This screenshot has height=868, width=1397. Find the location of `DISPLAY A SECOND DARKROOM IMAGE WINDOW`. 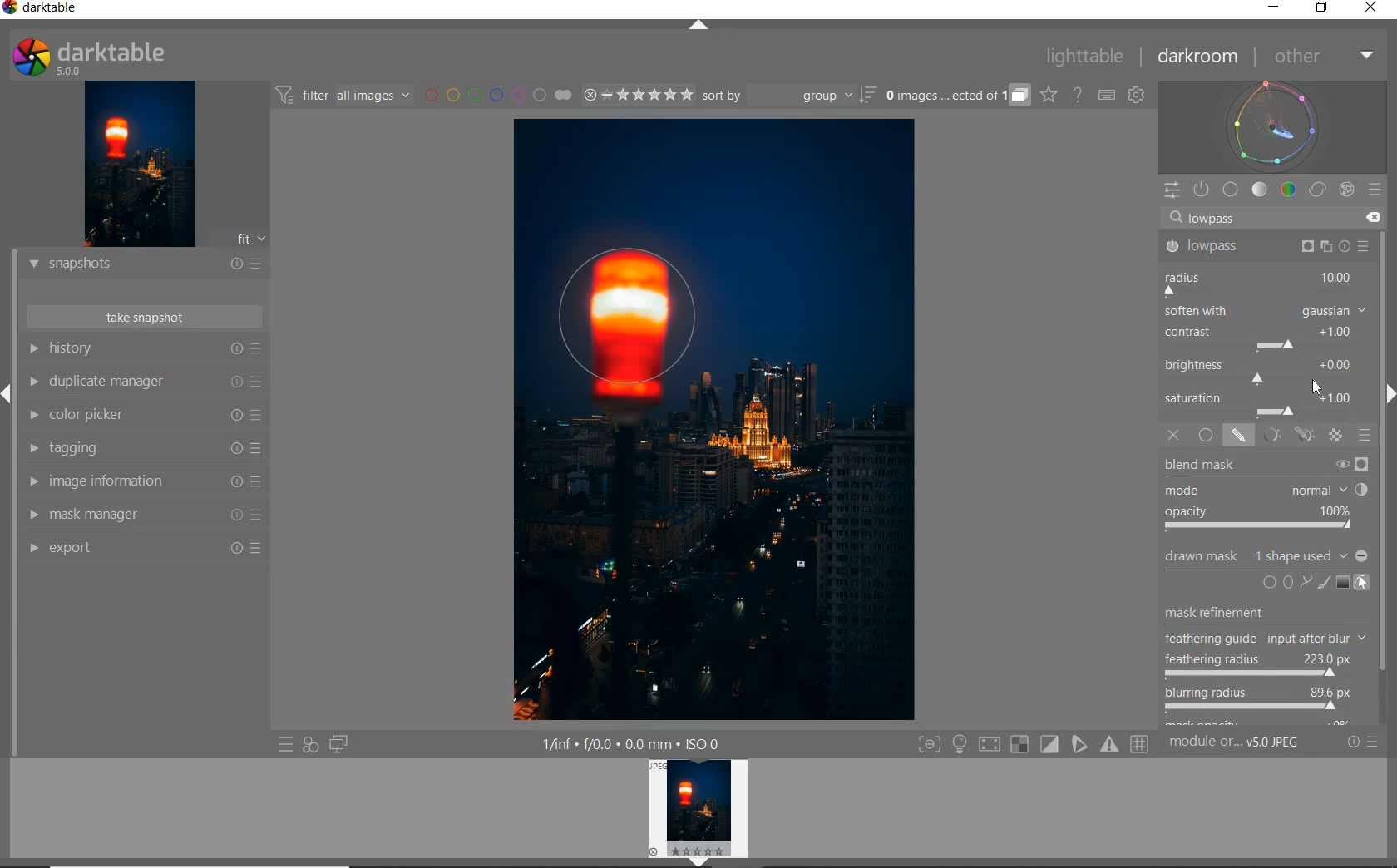

DISPLAY A SECOND DARKROOM IMAGE WINDOW is located at coordinates (338, 745).